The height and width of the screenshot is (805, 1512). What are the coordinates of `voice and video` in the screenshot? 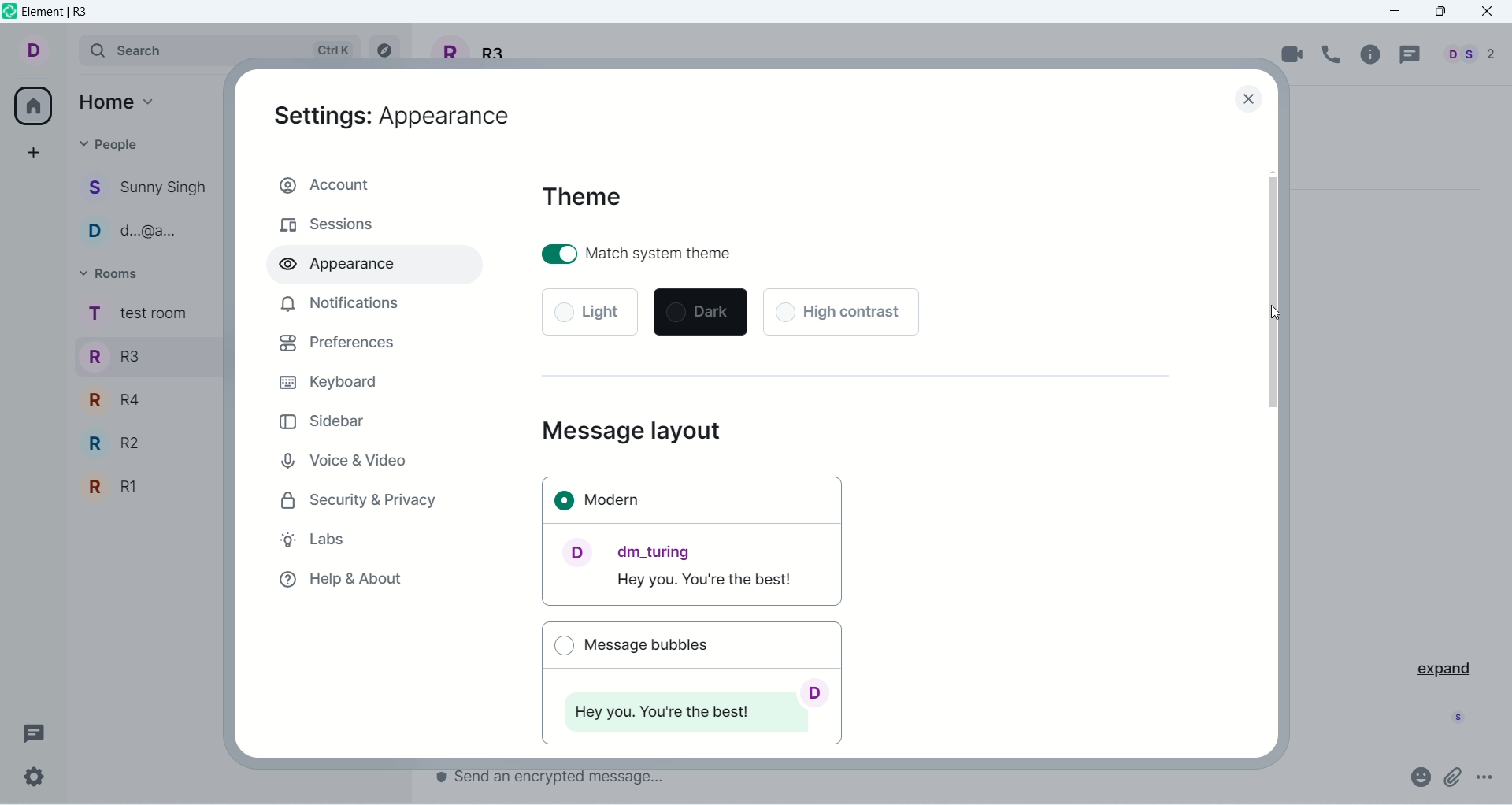 It's located at (341, 458).